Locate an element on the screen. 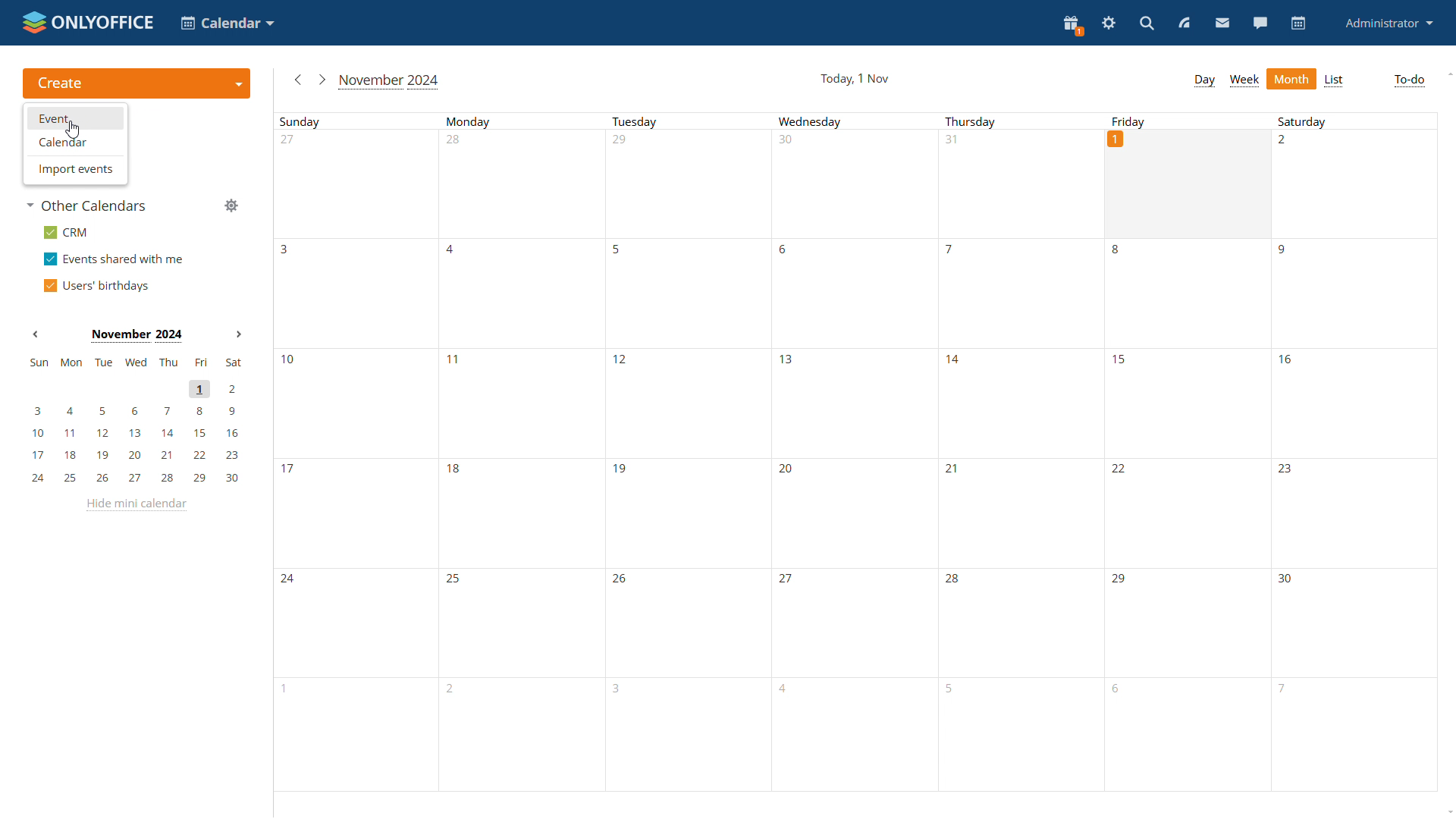  import events is located at coordinates (76, 169).